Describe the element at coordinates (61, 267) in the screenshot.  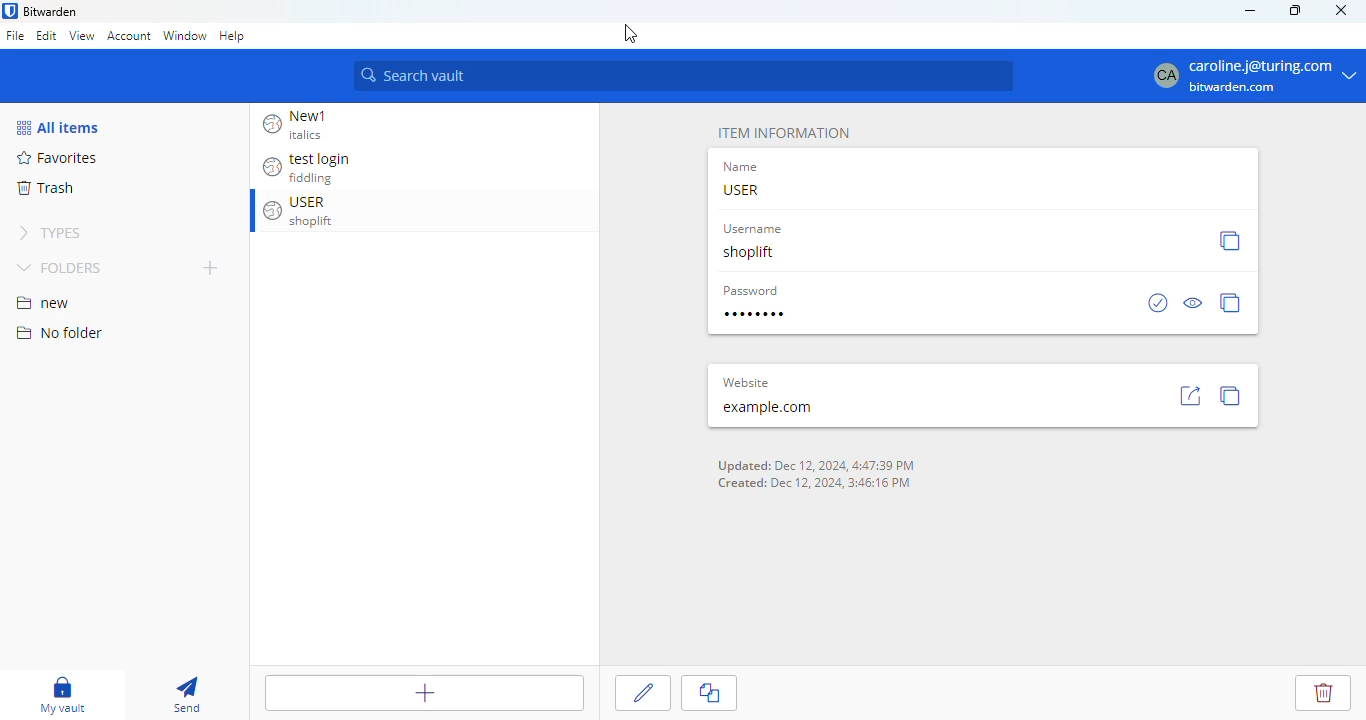
I see `folders` at that location.